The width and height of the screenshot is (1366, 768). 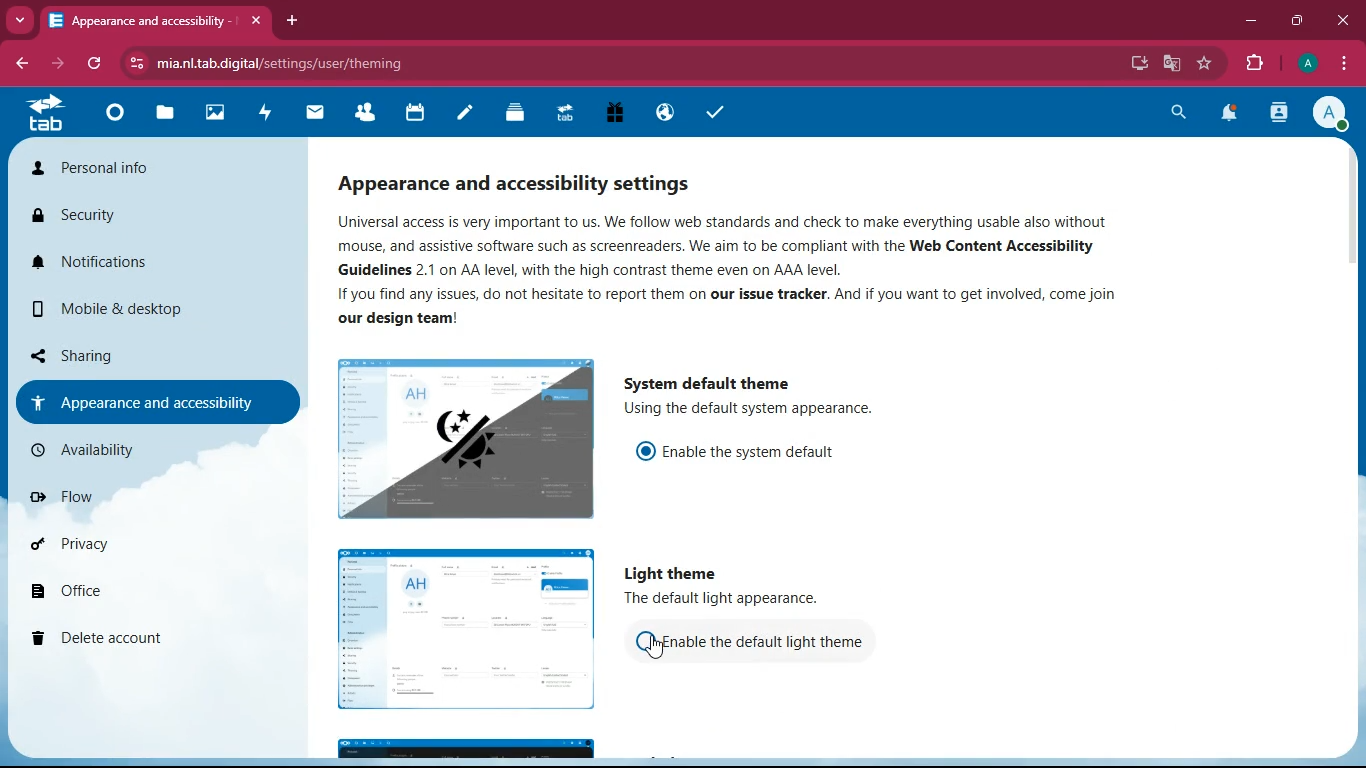 I want to click on url, so click(x=281, y=63).